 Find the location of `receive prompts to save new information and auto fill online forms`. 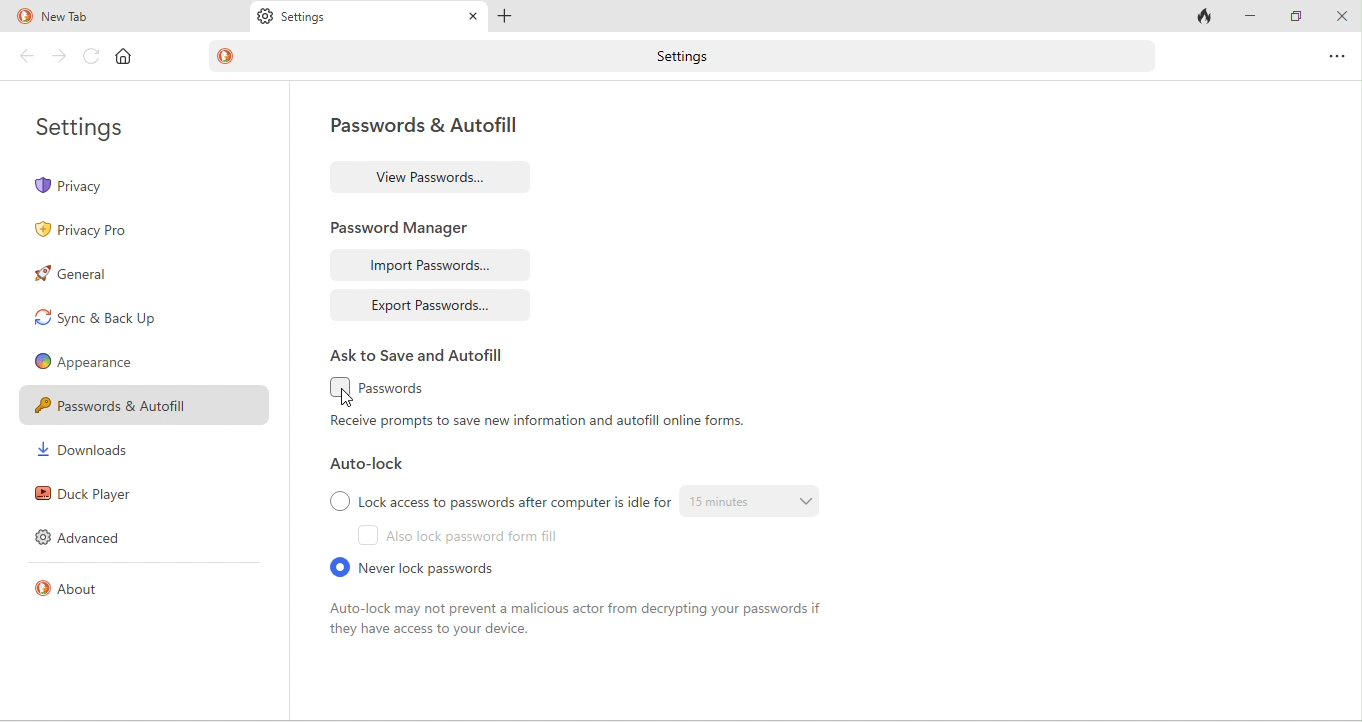

receive prompts to save new information and auto fill online forms is located at coordinates (539, 426).